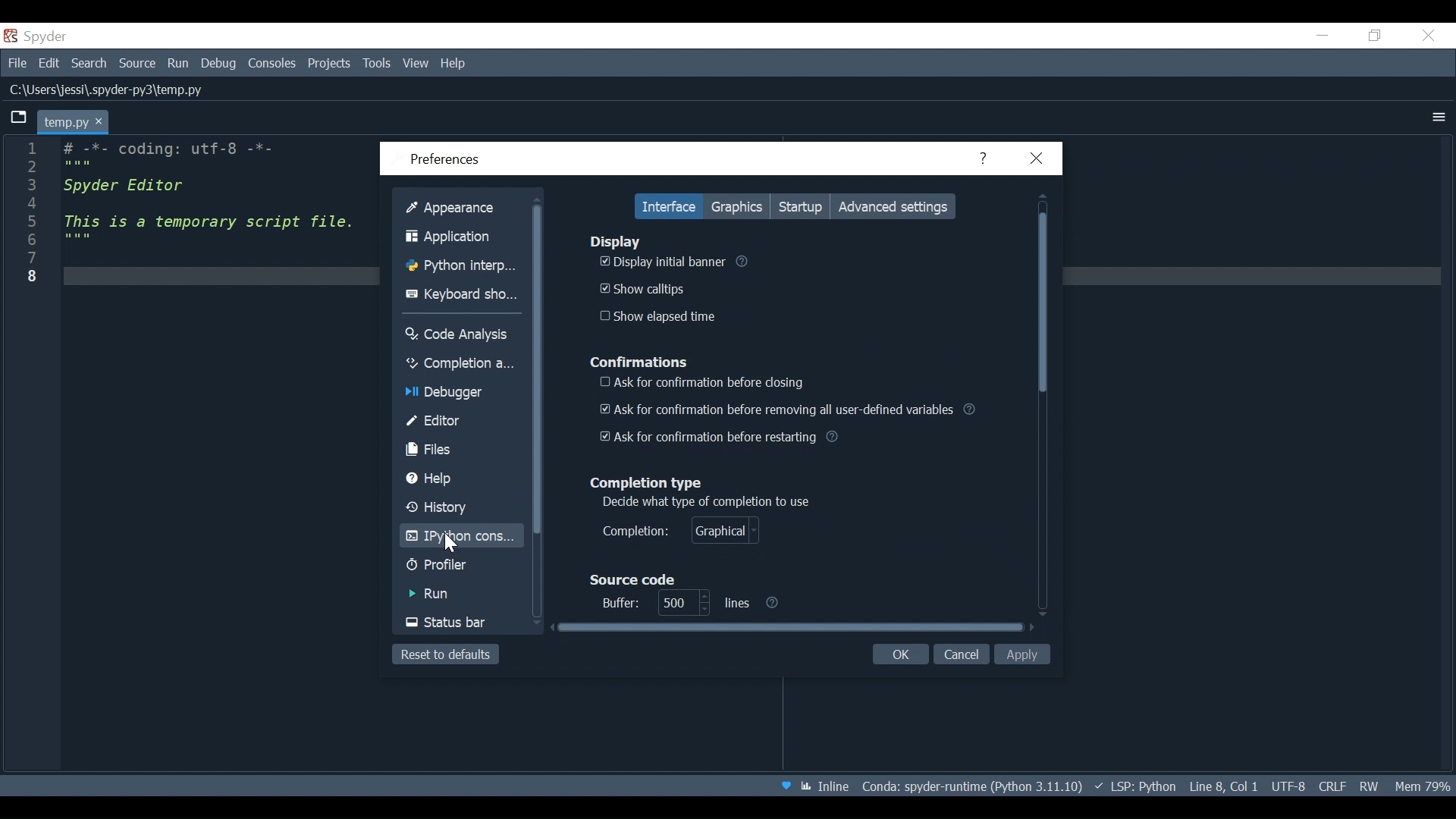  I want to click on Editor, so click(460, 422).